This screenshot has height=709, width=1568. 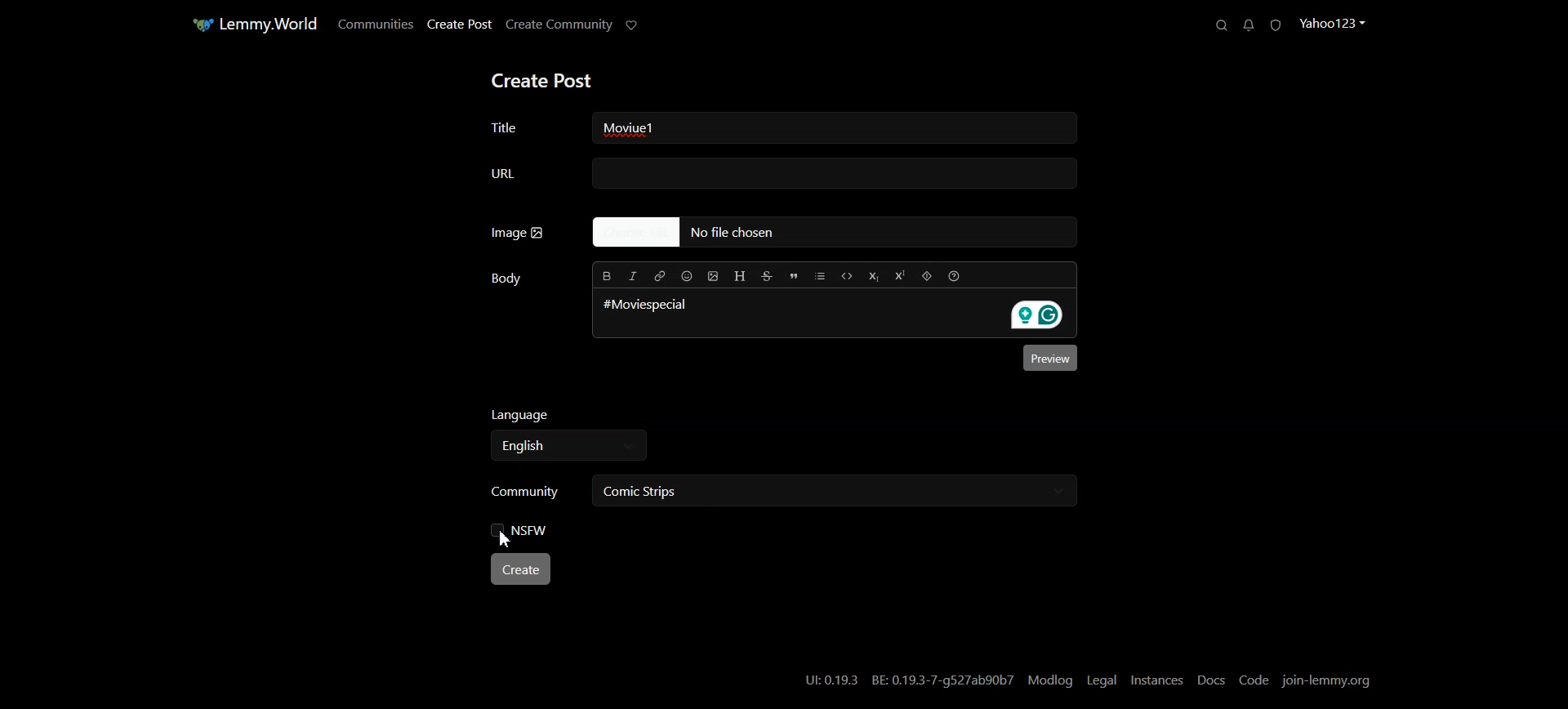 I want to click on Create Post, so click(x=545, y=79).